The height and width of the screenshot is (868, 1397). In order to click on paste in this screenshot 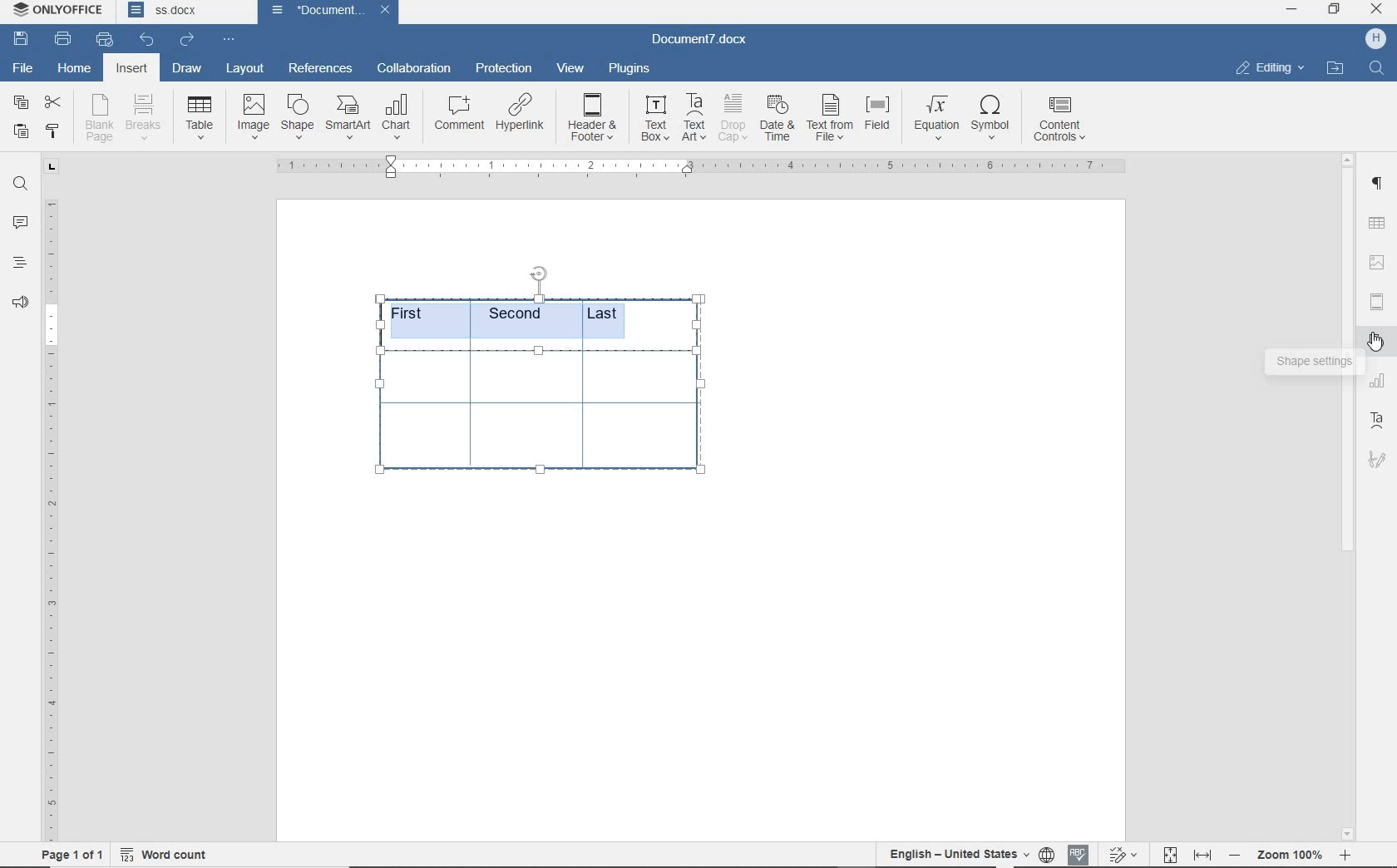, I will do `click(20, 131)`.